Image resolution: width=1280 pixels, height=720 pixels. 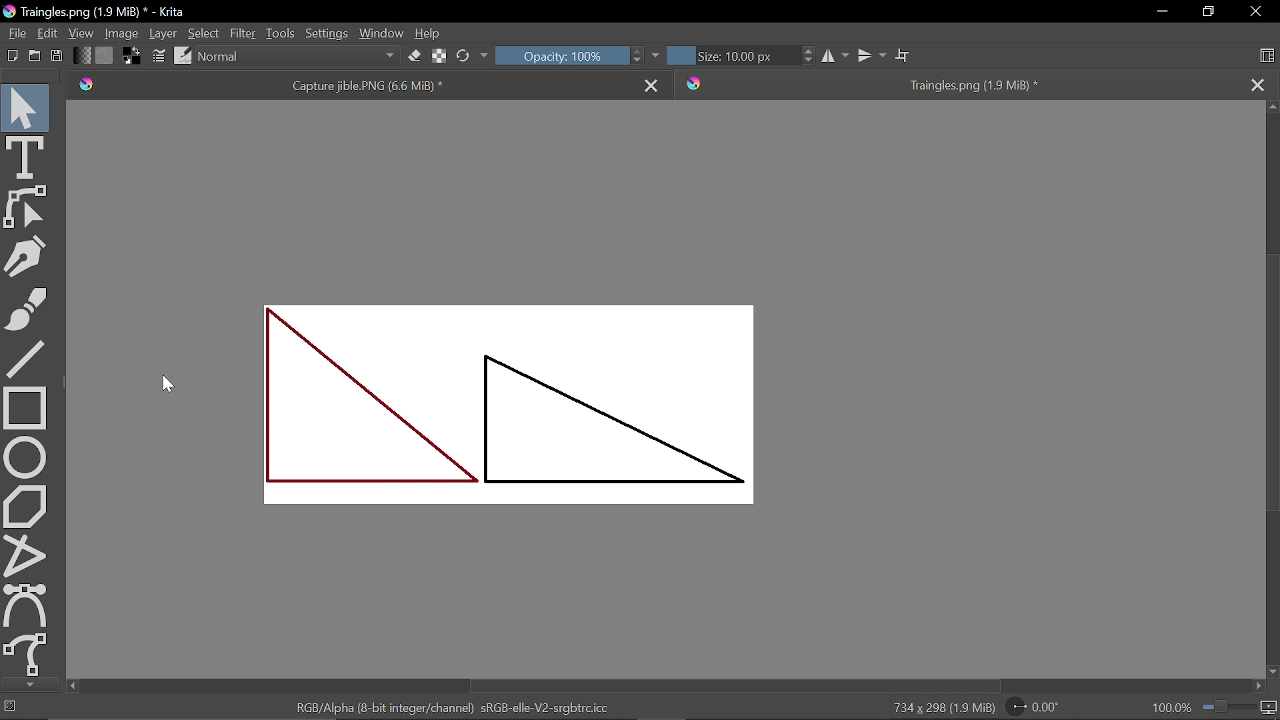 What do you see at coordinates (902, 55) in the screenshot?
I see `Wrap around mode` at bounding box center [902, 55].